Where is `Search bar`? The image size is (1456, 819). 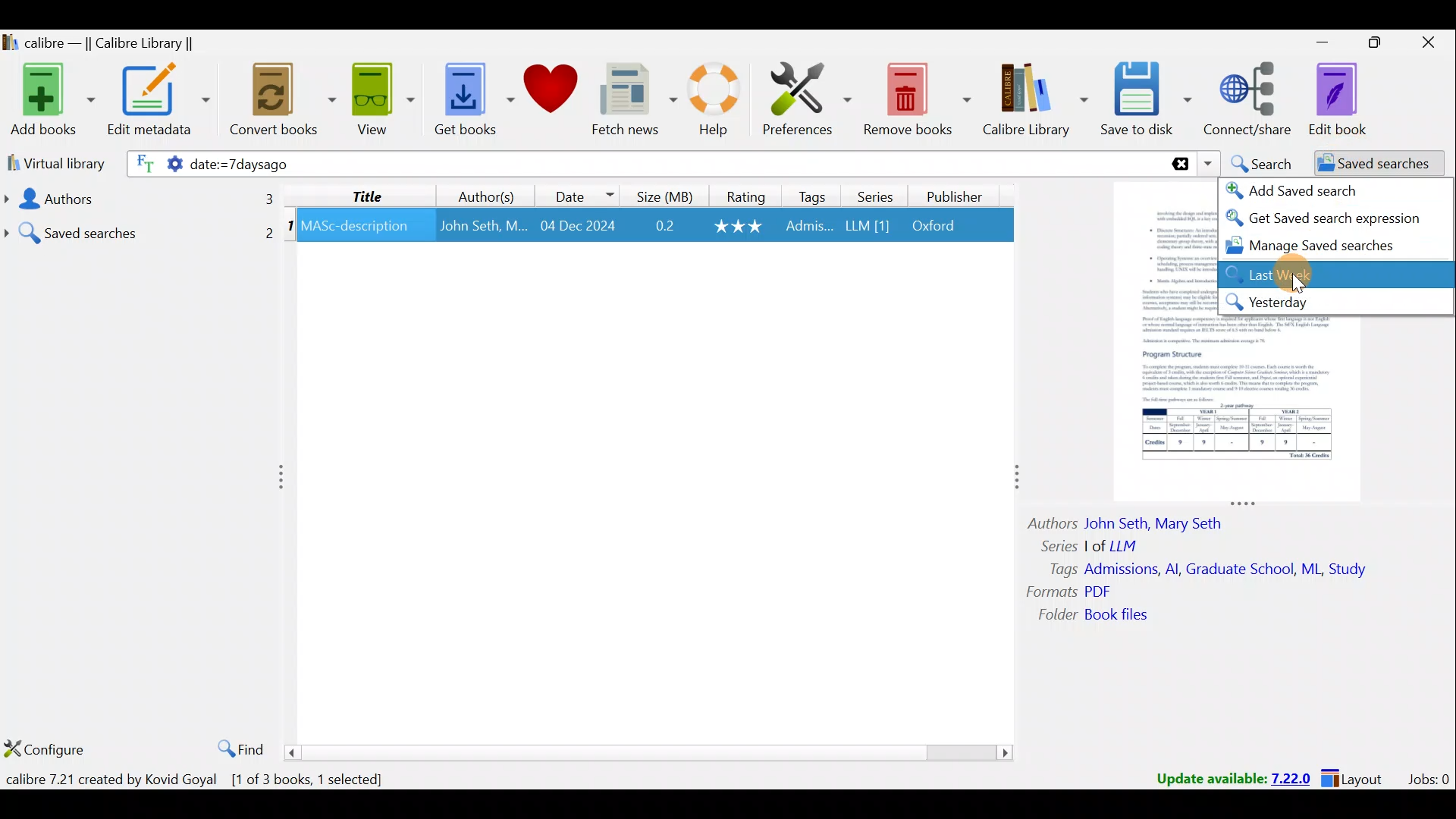
Search bar is located at coordinates (883, 163).